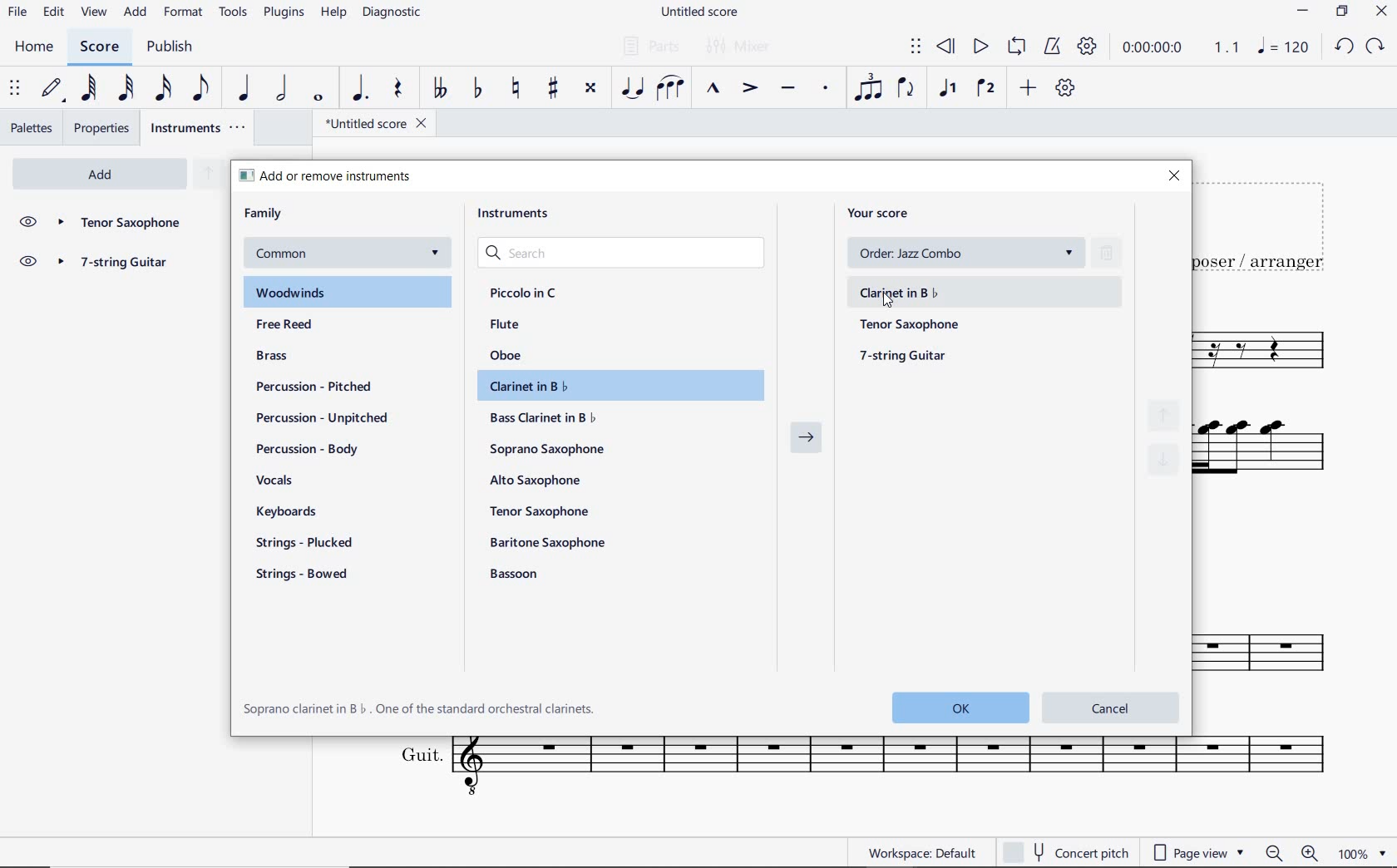 The image size is (1397, 868). I want to click on percussion - body, so click(307, 449).